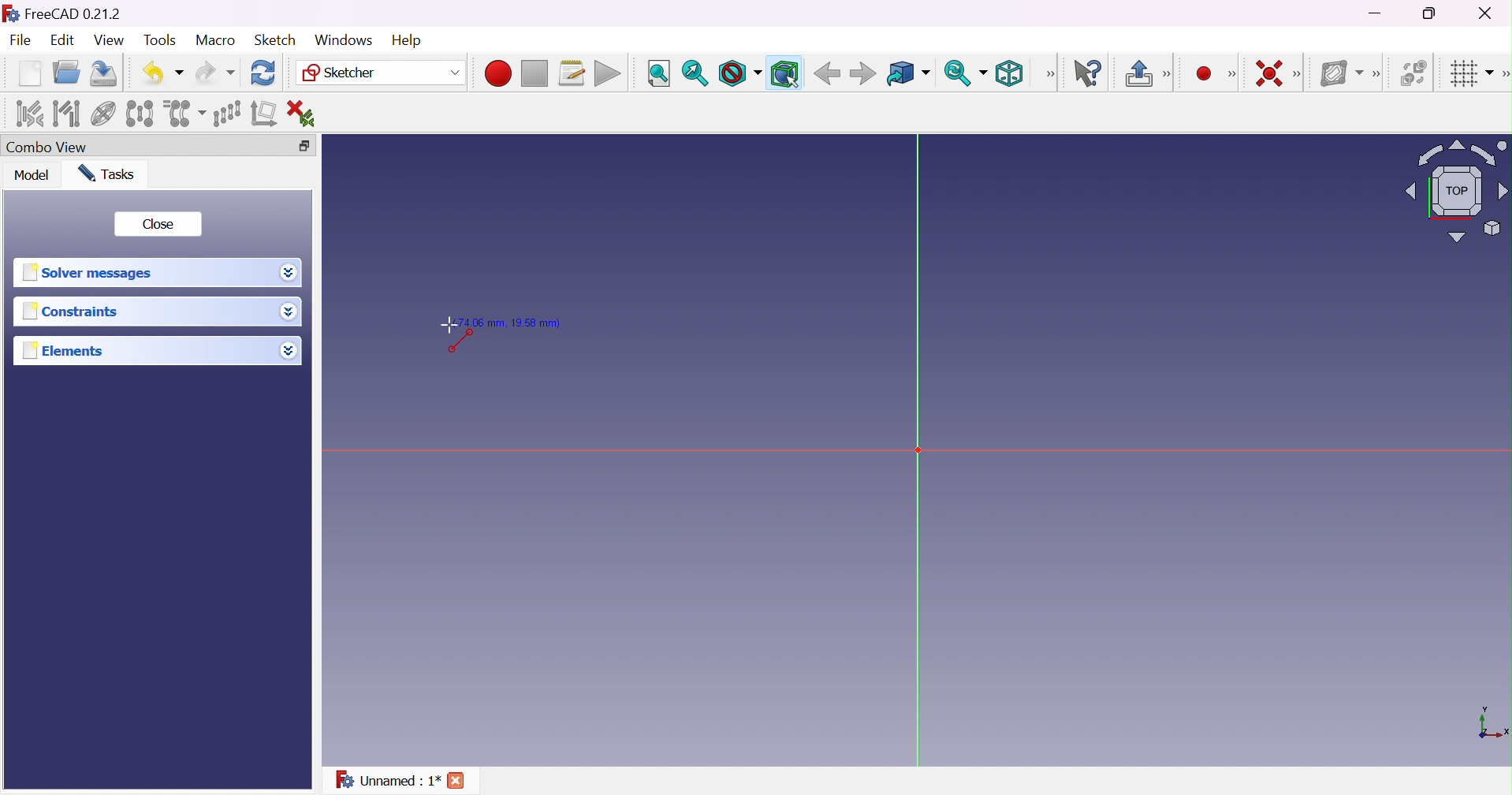 Image resolution: width=1512 pixels, height=795 pixels. I want to click on Select associated constraints, so click(28, 114).